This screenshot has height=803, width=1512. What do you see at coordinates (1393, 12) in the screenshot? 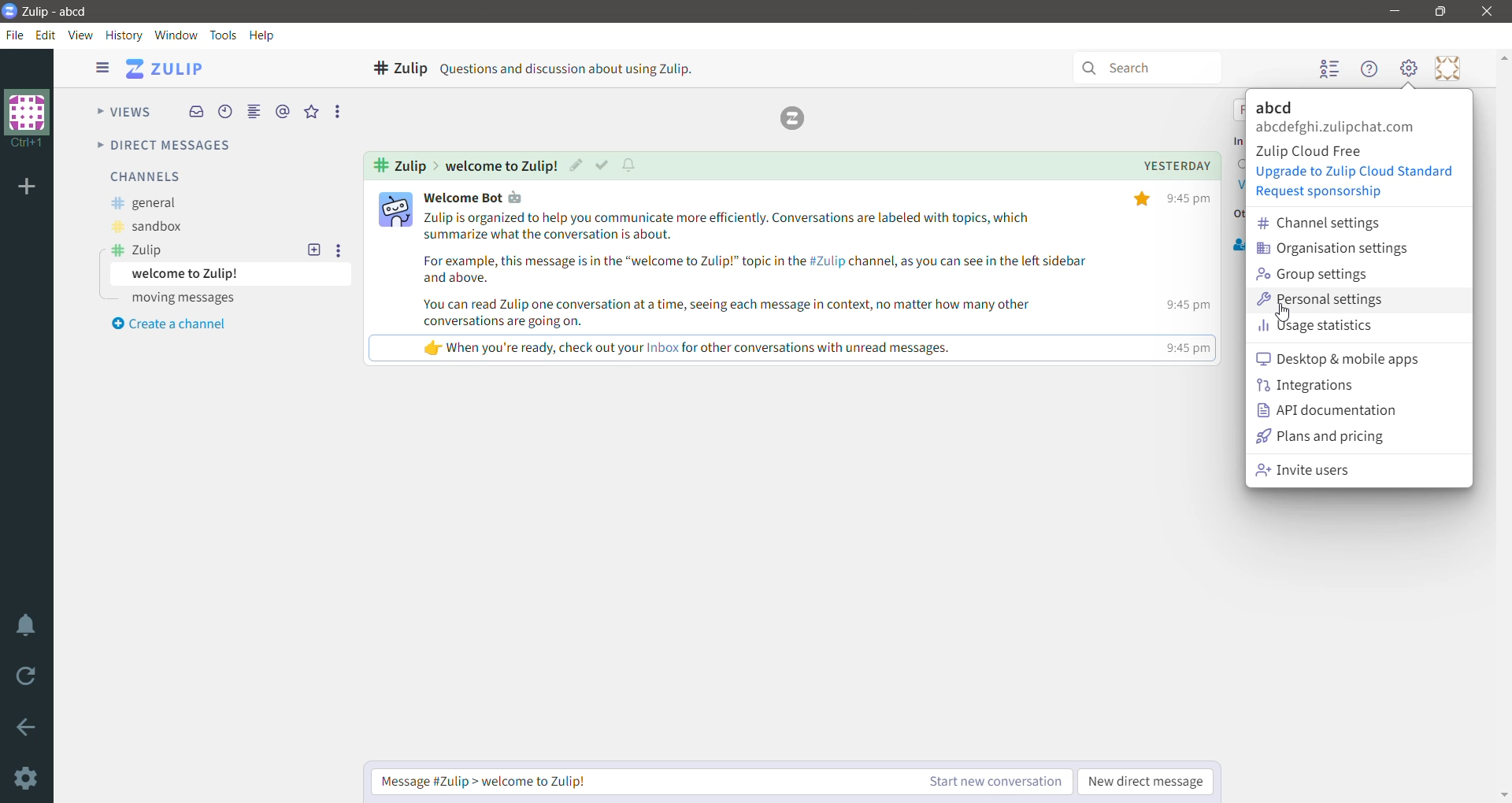
I see `Minimize` at bounding box center [1393, 12].